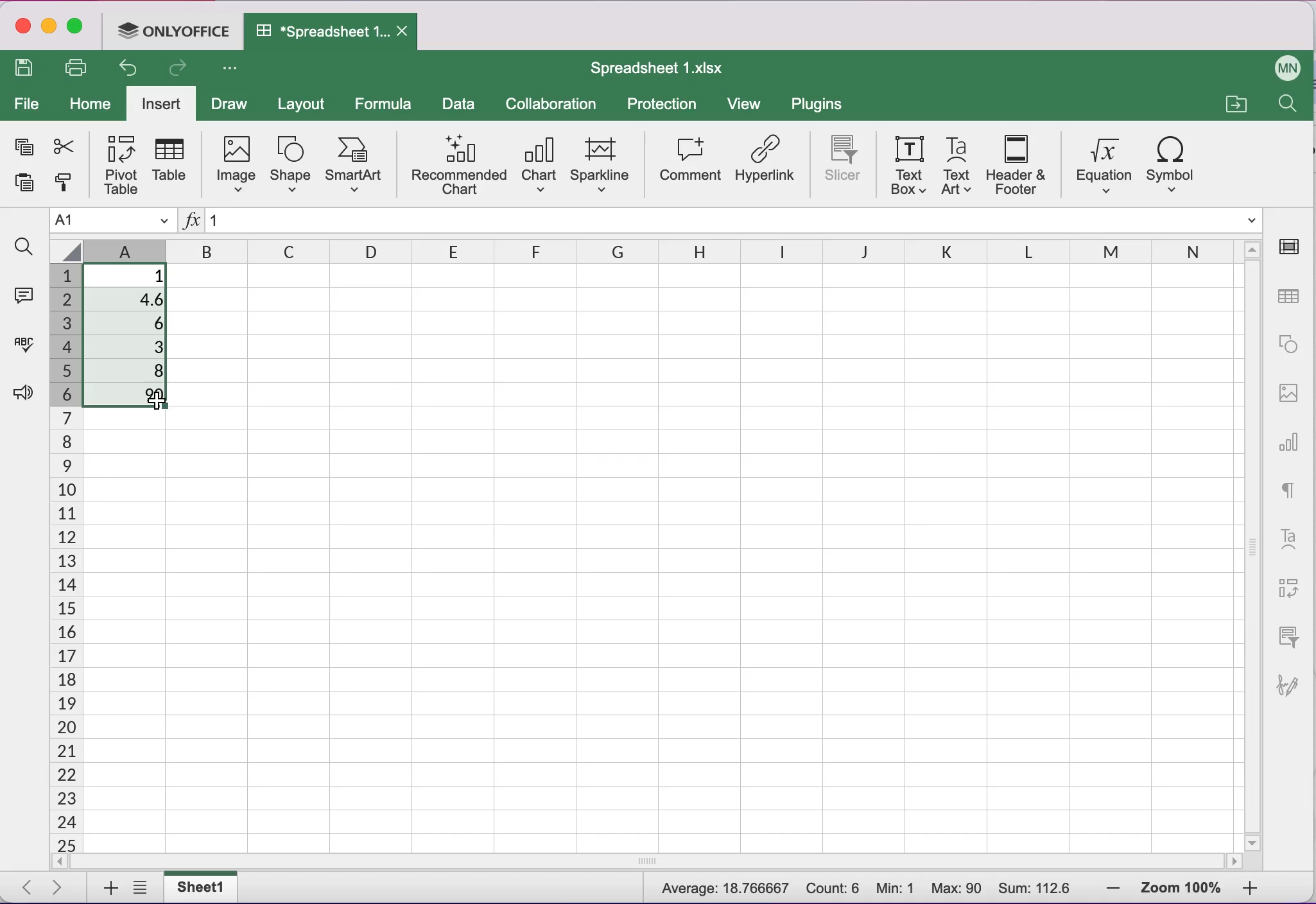 The height and width of the screenshot is (904, 1316). I want to click on columns, so click(645, 248).